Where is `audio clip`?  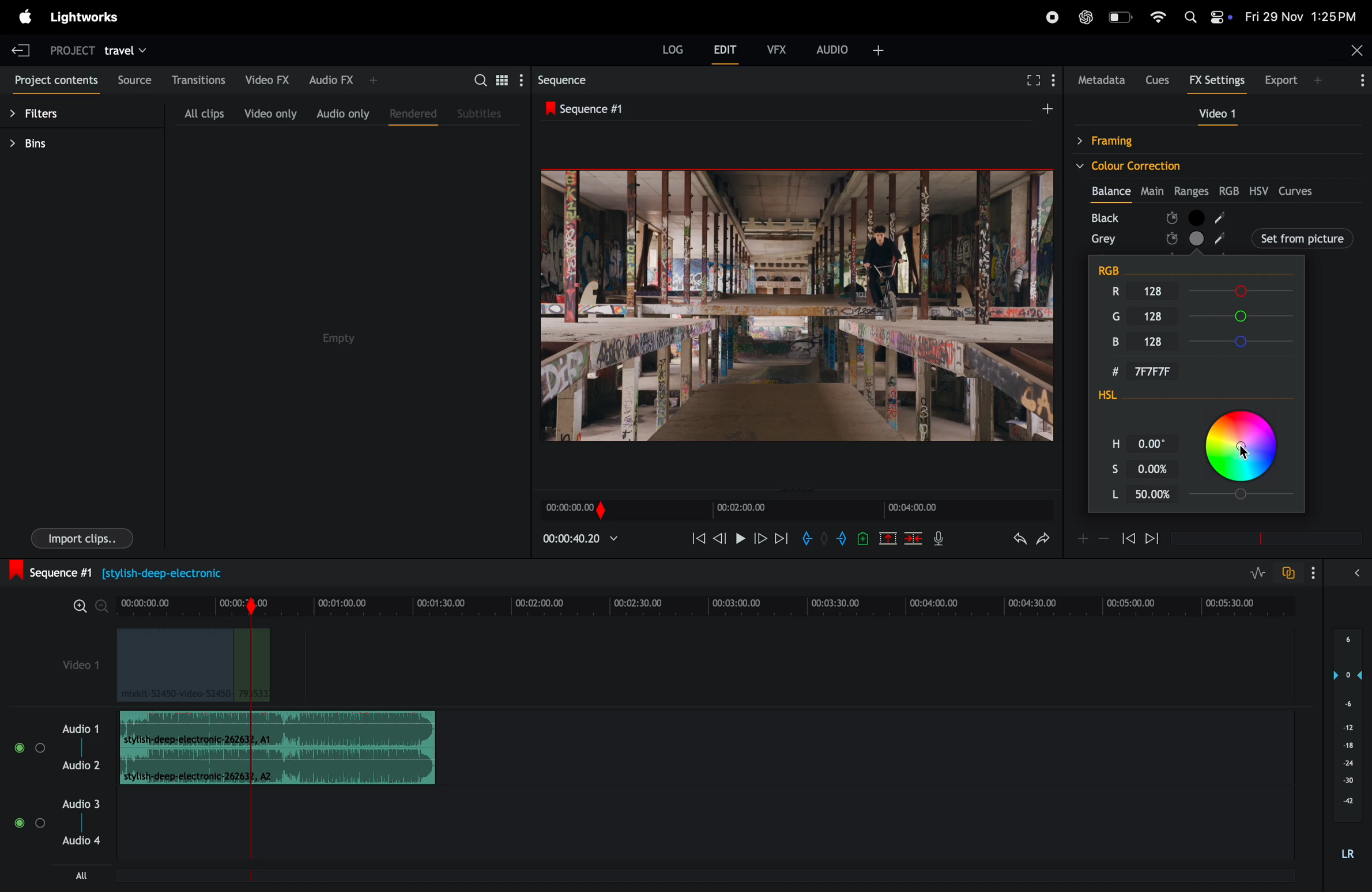
audio clip is located at coordinates (278, 729).